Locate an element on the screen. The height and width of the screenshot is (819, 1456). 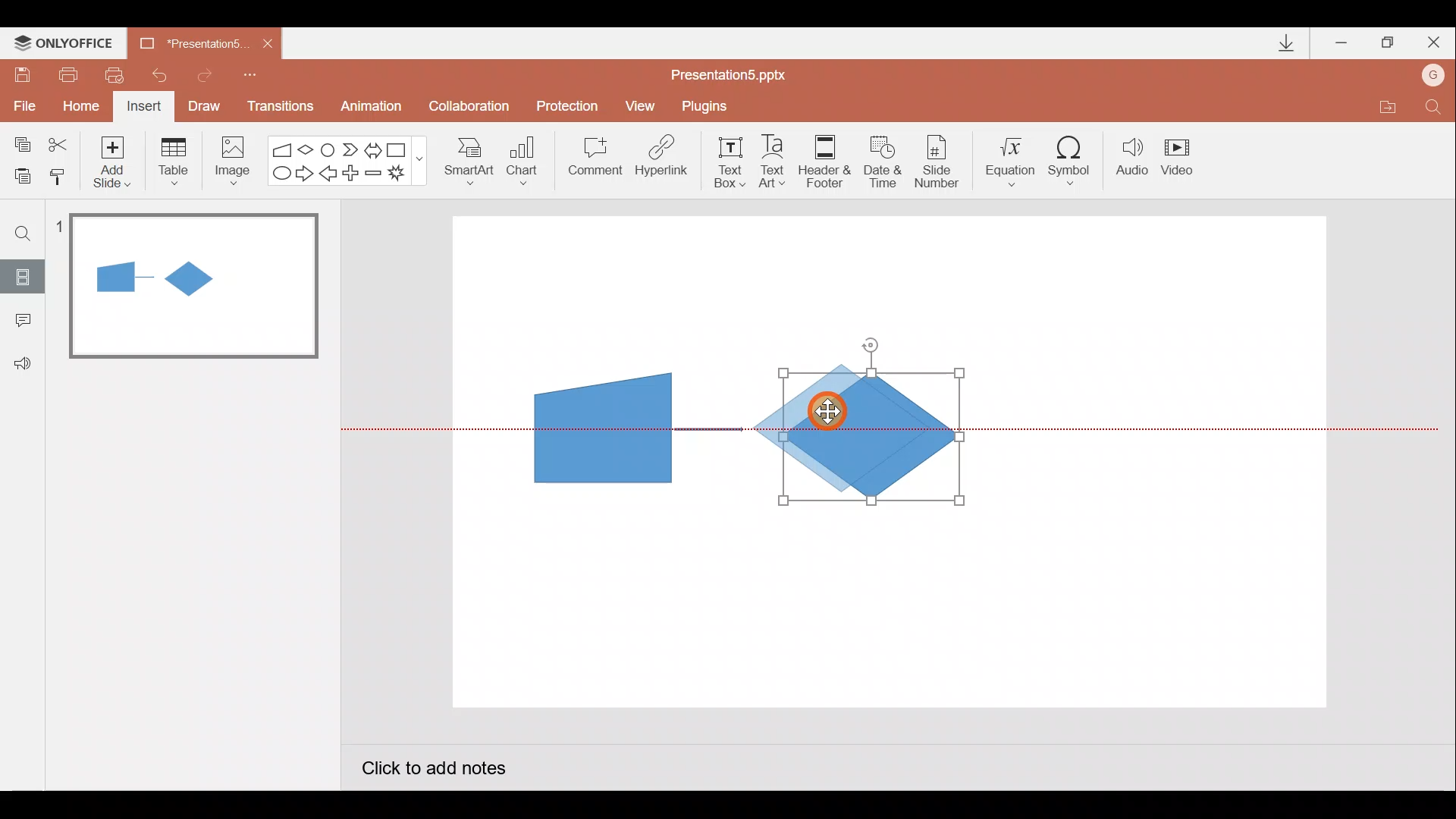
Customize quick access toolbar is located at coordinates (250, 73).